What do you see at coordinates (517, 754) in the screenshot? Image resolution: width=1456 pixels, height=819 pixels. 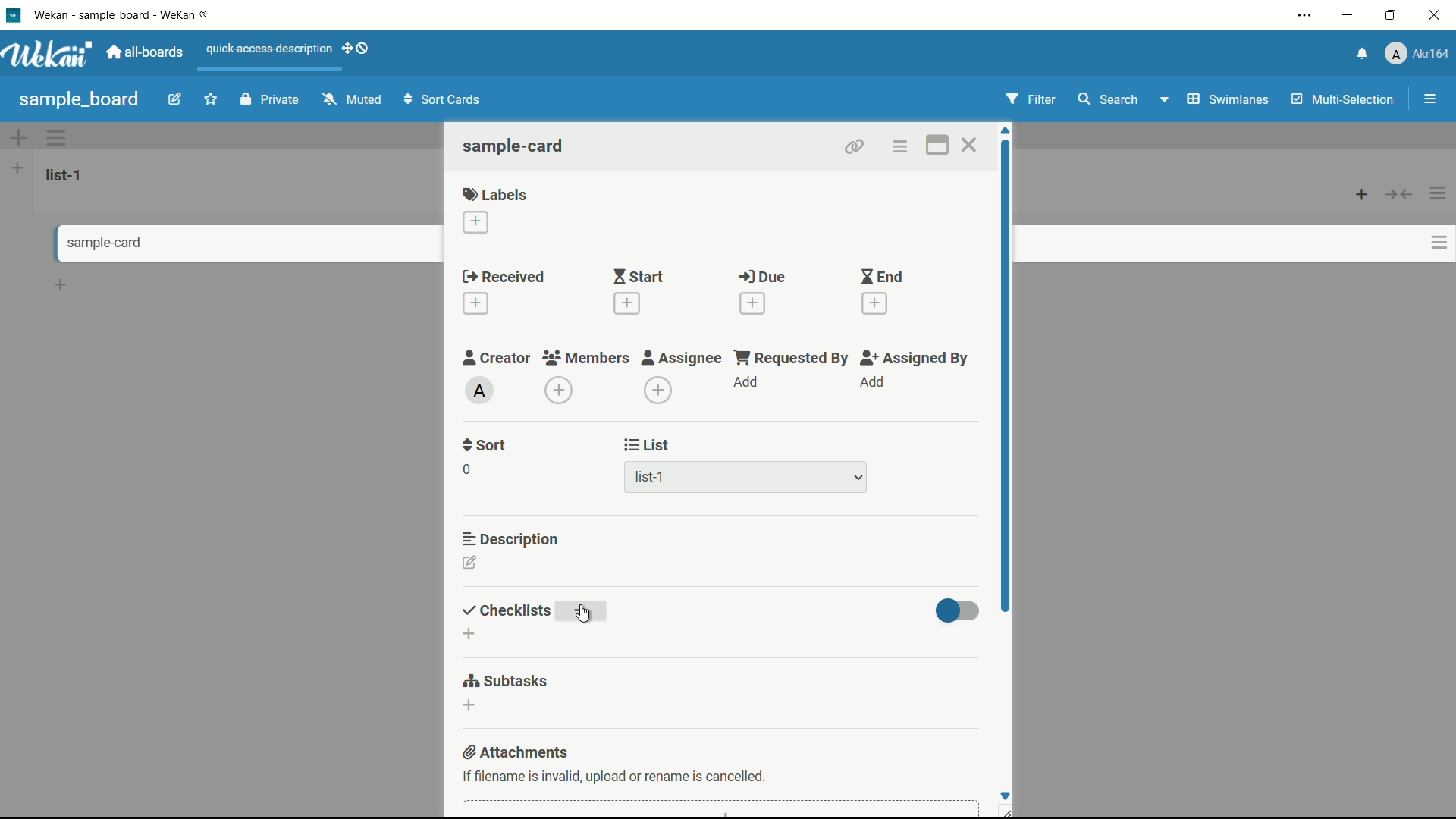 I see `attachments` at bounding box center [517, 754].